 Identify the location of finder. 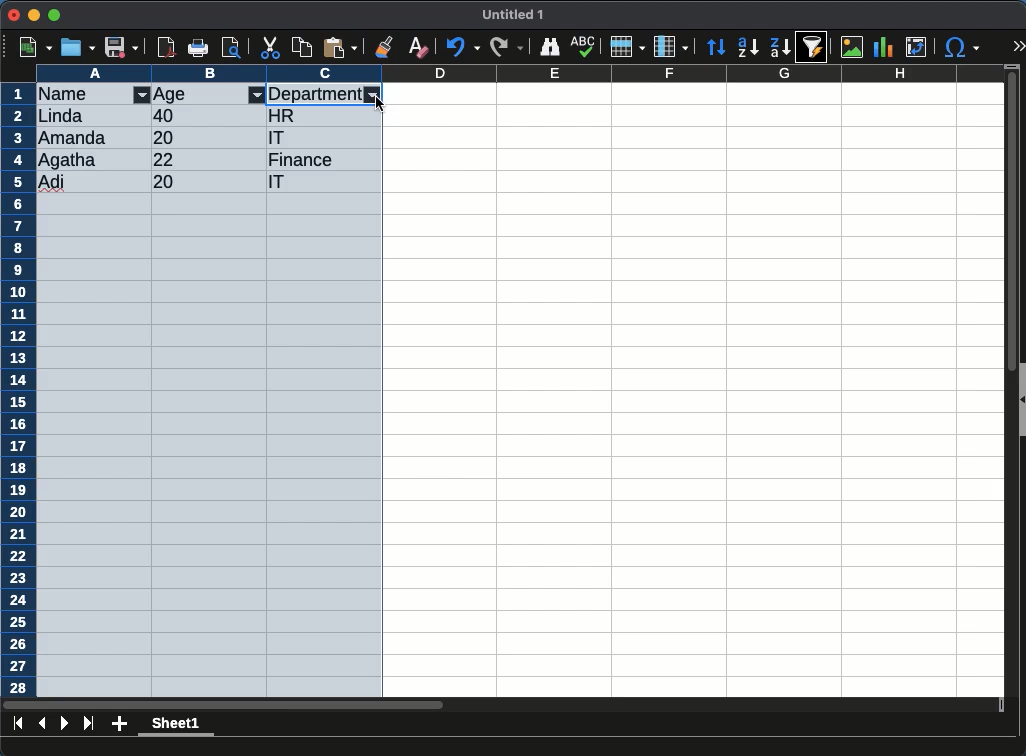
(552, 47).